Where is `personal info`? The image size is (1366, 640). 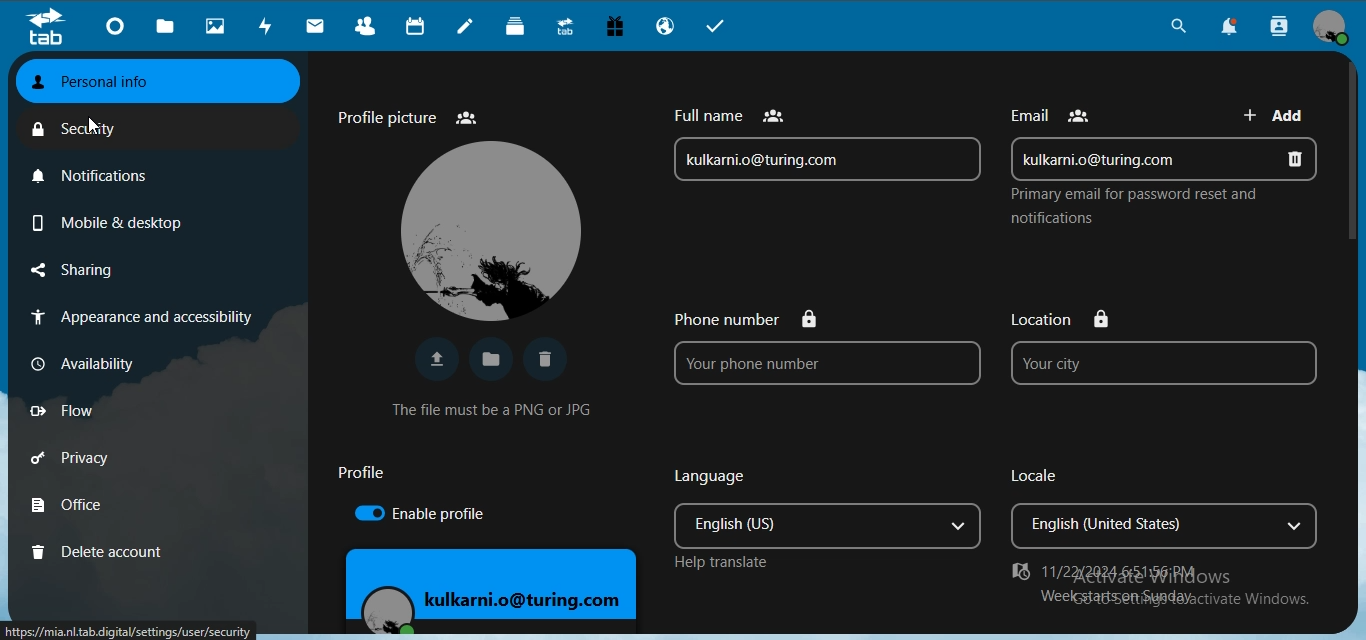 personal info is located at coordinates (149, 82).